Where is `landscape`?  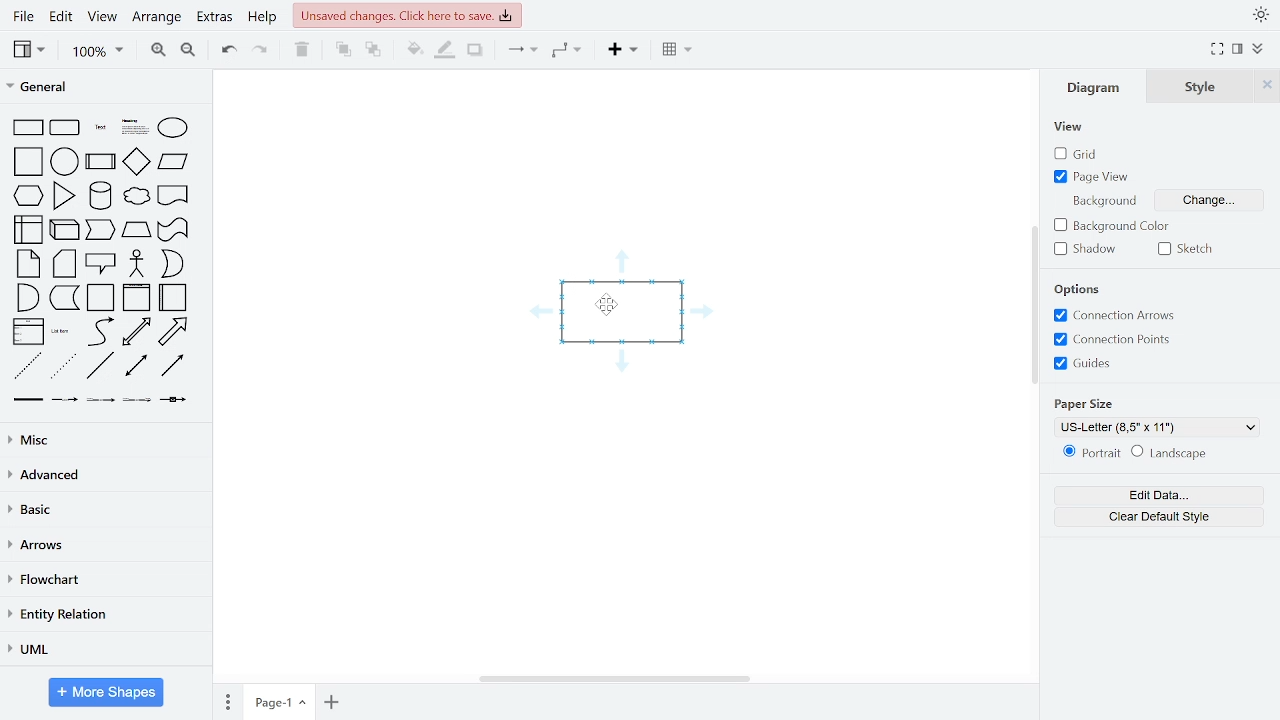 landscape is located at coordinates (1172, 455).